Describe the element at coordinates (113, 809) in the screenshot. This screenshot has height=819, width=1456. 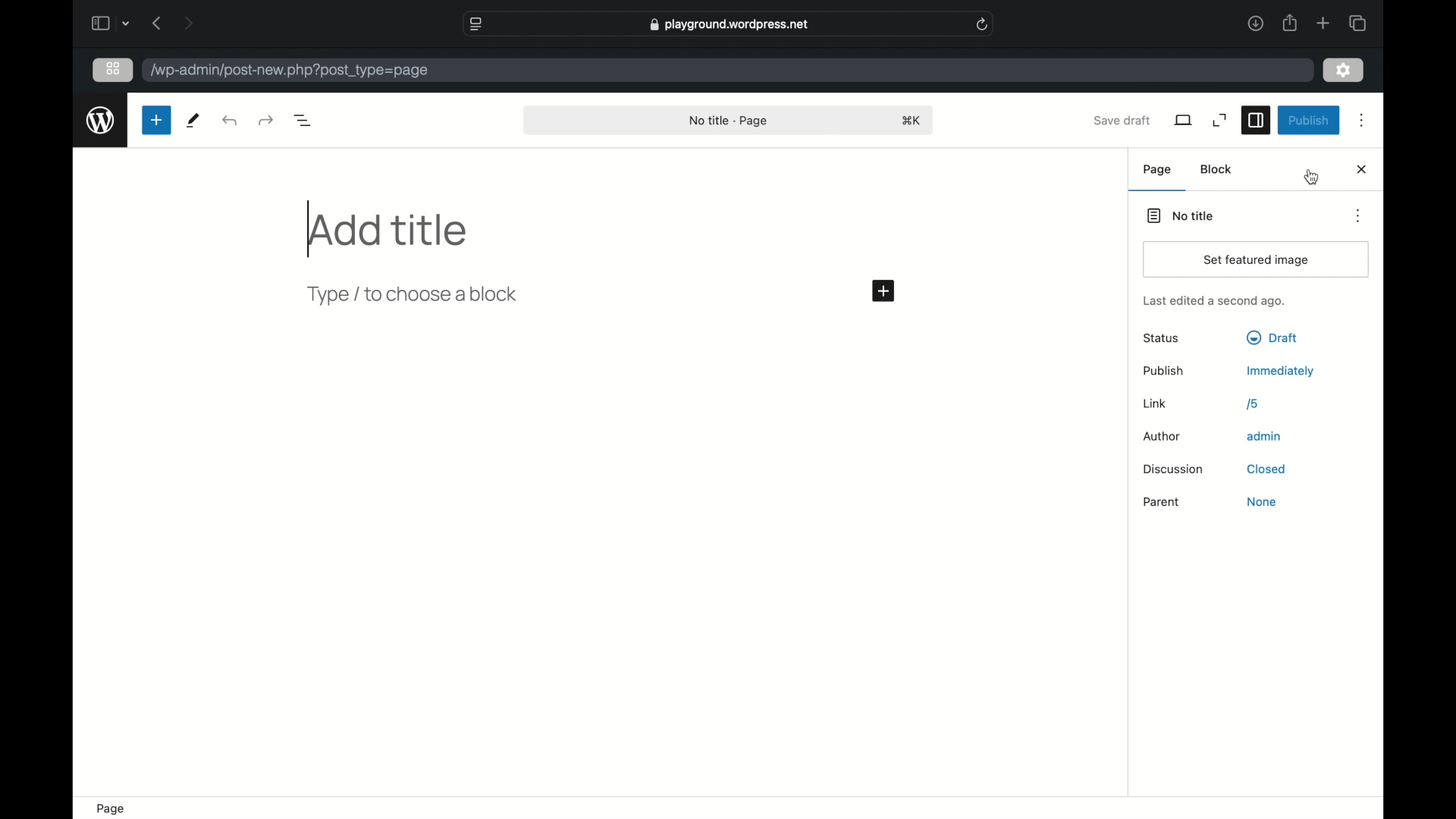
I see `page` at that location.